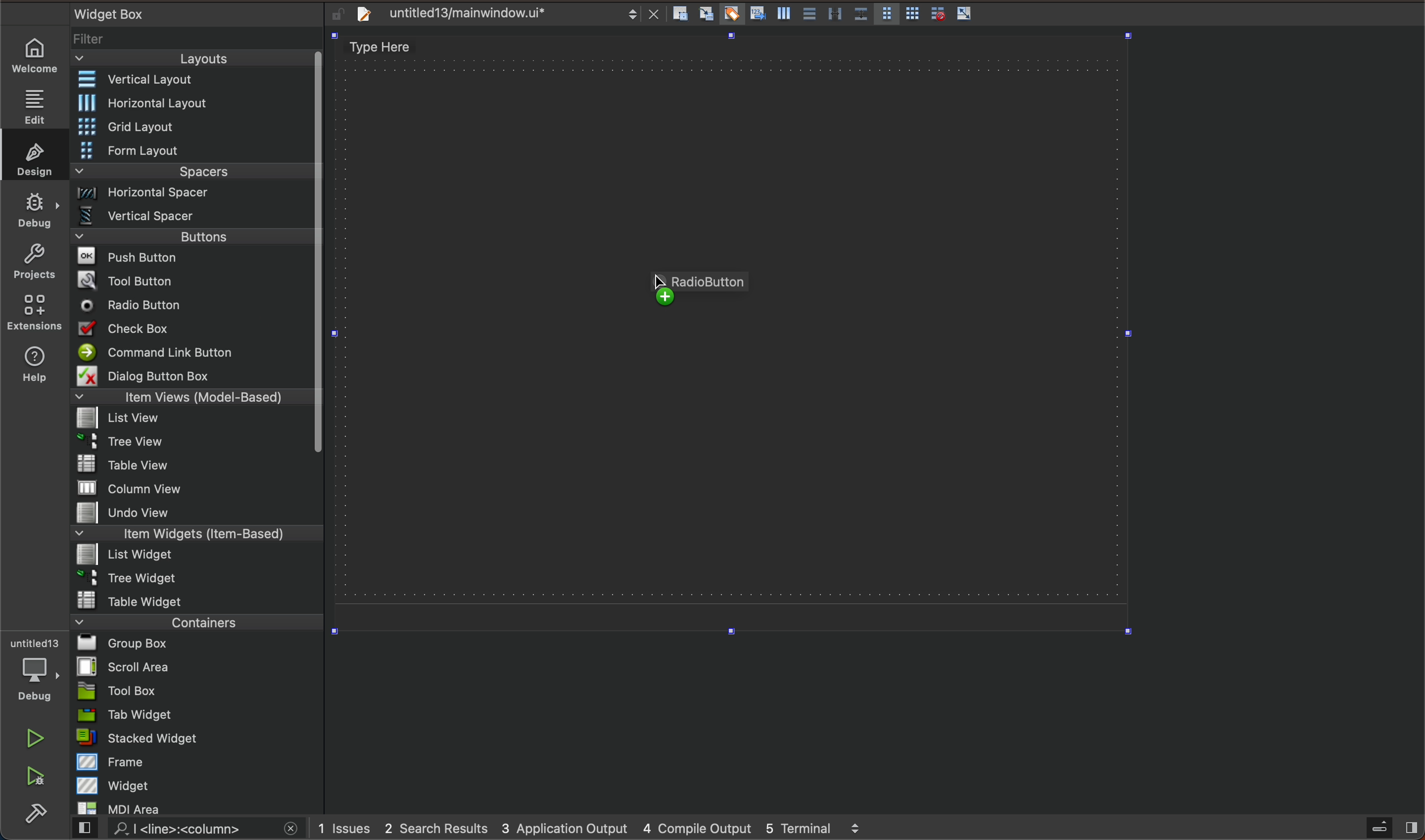 The image size is (1425, 840). I want to click on run, so click(37, 738).